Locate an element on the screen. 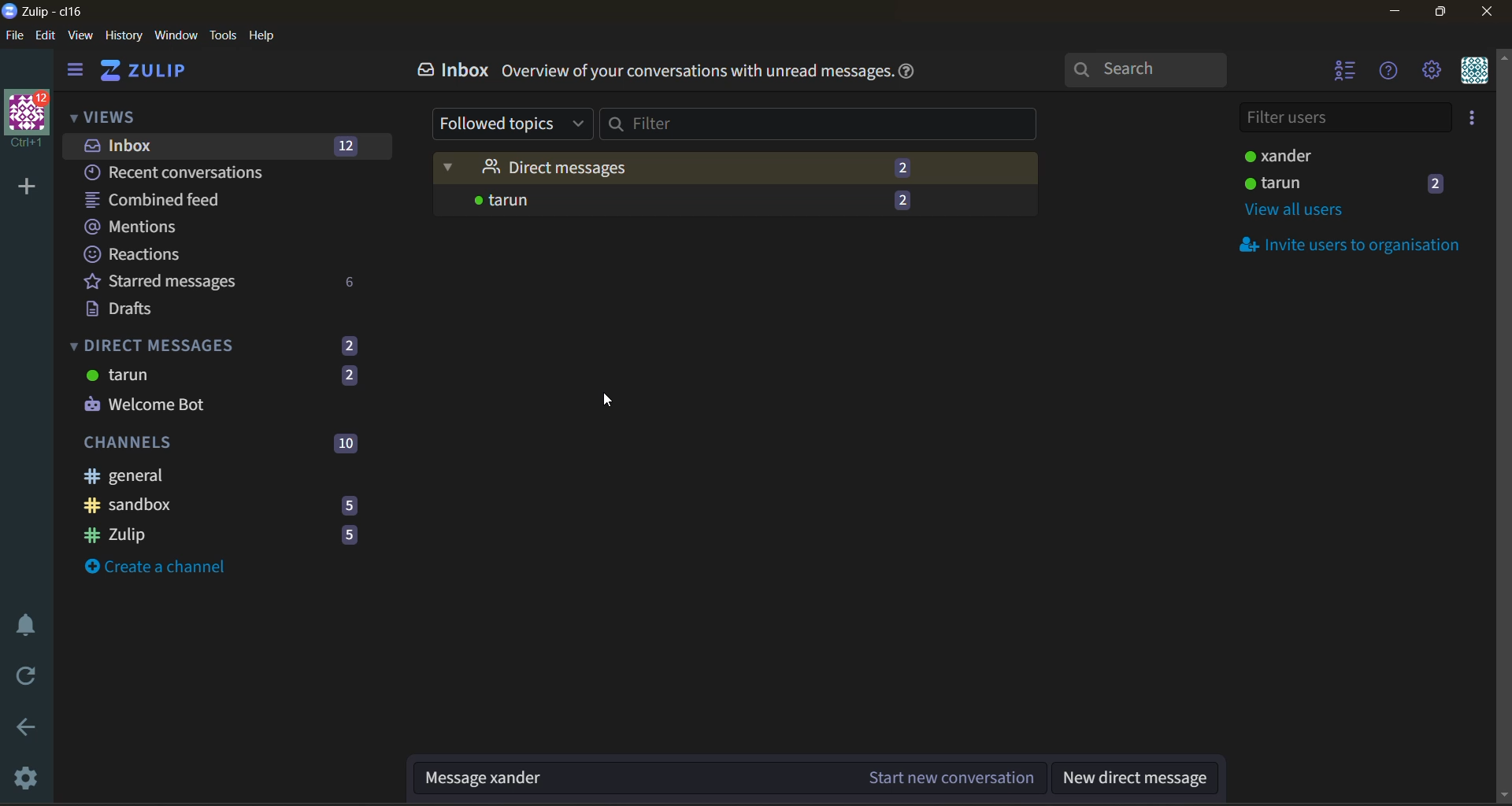  tarun is located at coordinates (227, 377).